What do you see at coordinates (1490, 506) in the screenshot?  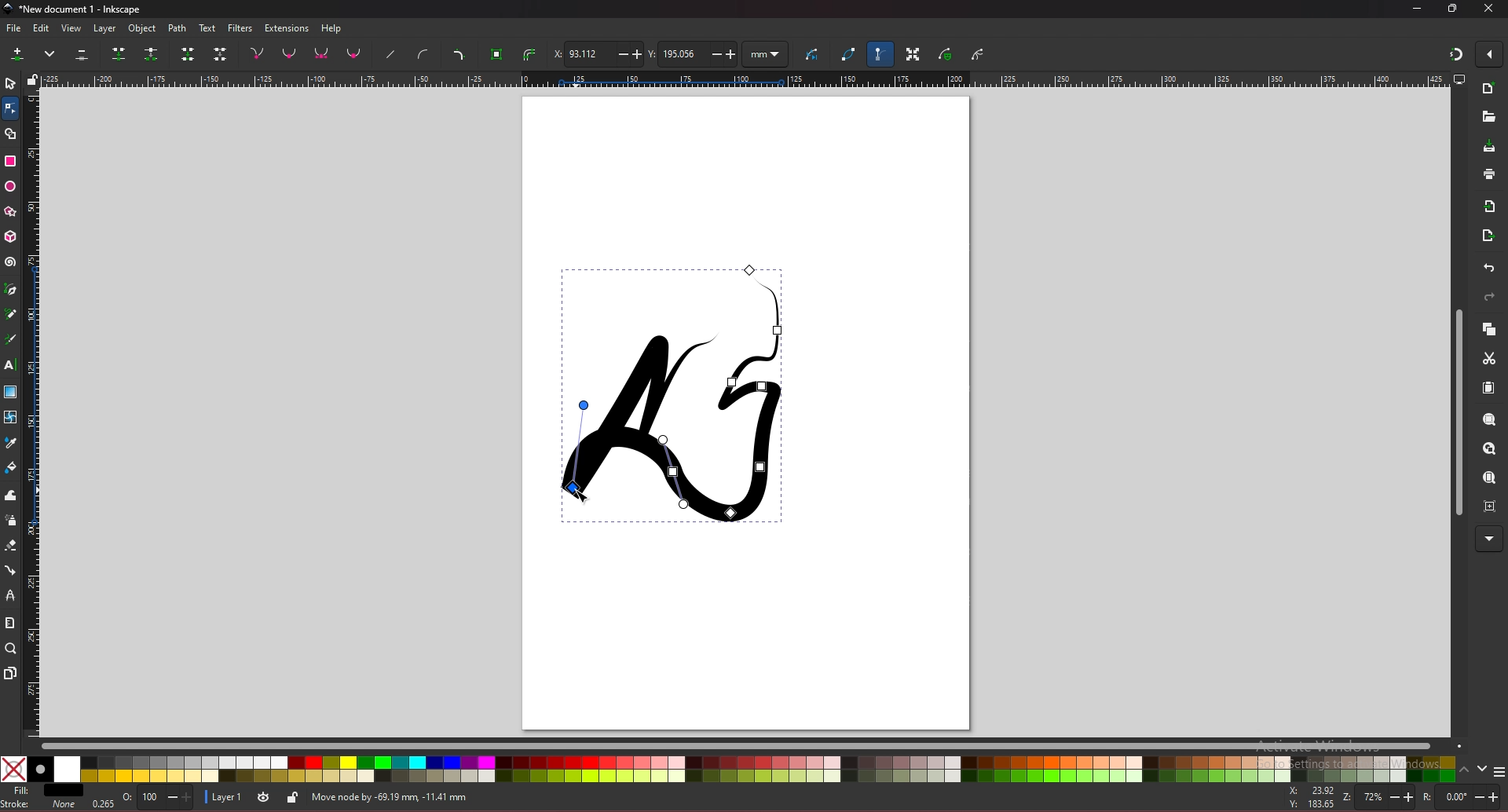 I see `zoom centre page` at bounding box center [1490, 506].